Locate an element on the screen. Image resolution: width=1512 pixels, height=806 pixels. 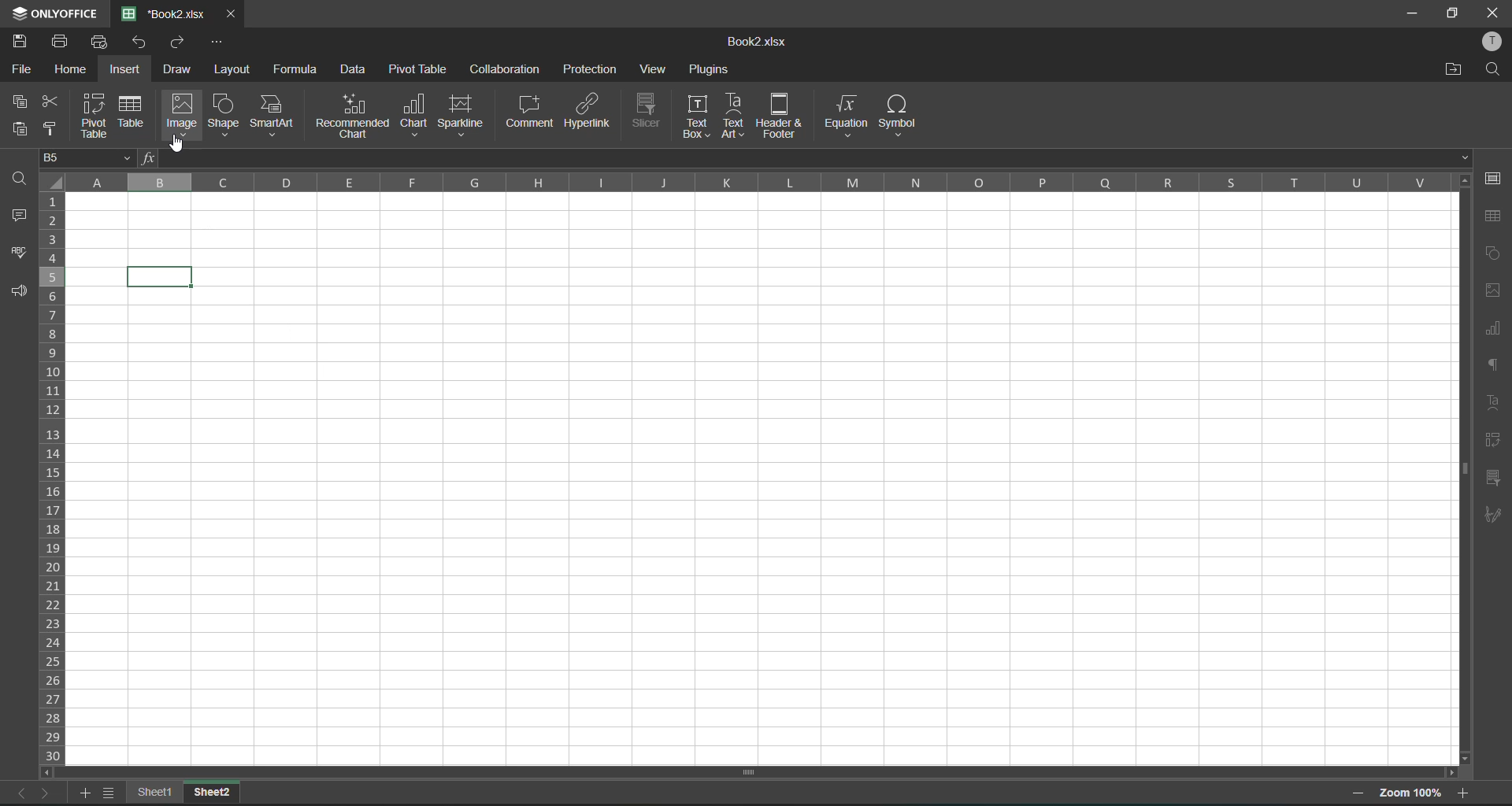
close tab is located at coordinates (232, 15).